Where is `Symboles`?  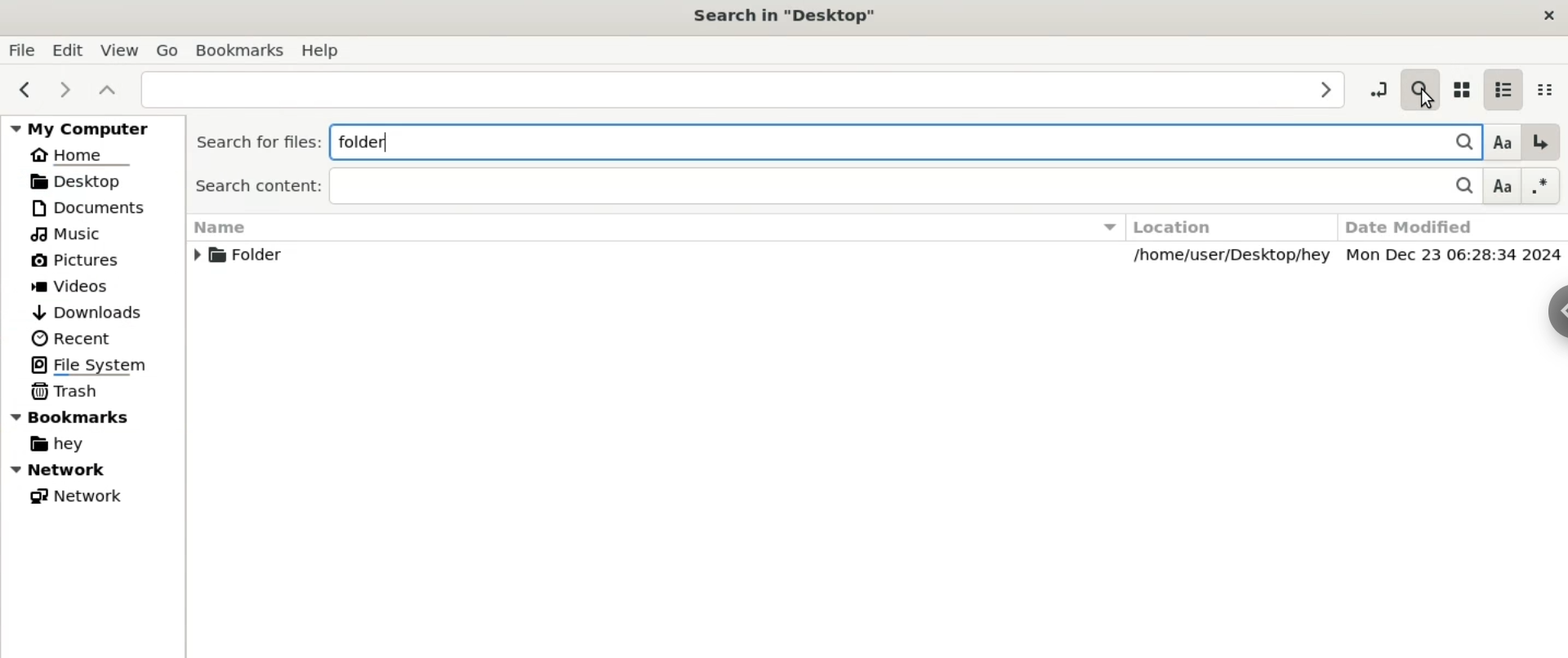 Symboles is located at coordinates (1542, 185).